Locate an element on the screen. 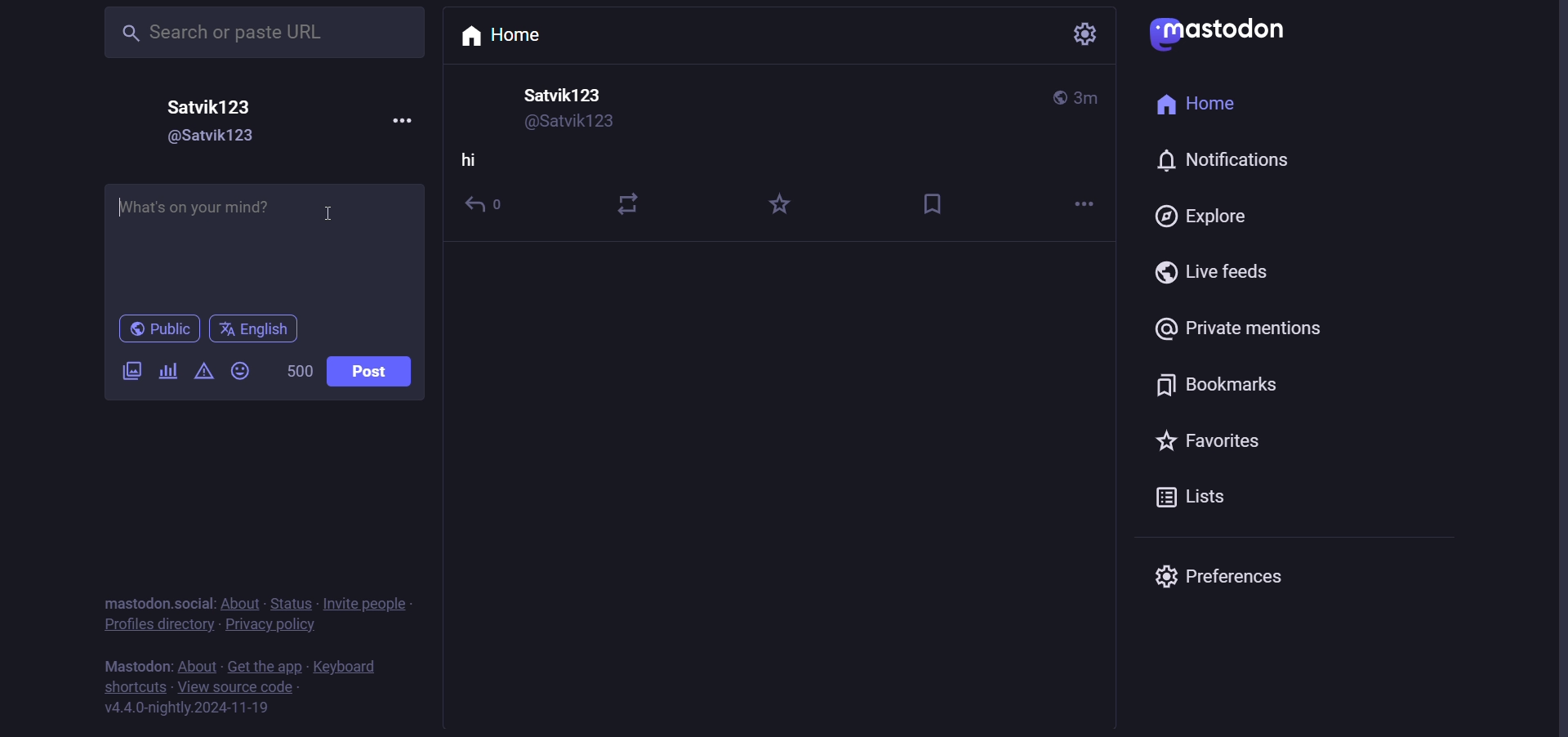  explore is located at coordinates (1200, 218).